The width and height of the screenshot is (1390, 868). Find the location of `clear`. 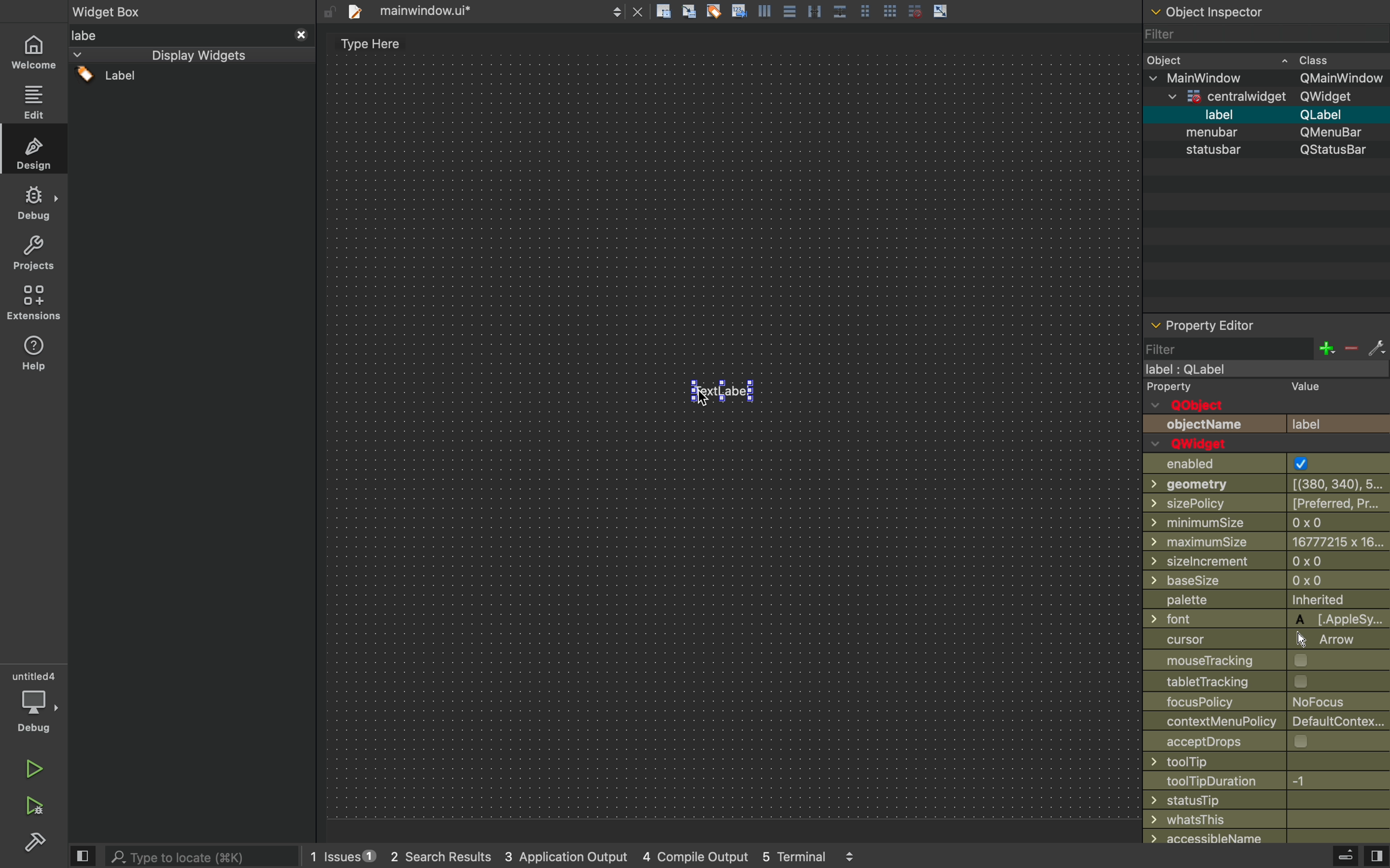

clear is located at coordinates (714, 11).